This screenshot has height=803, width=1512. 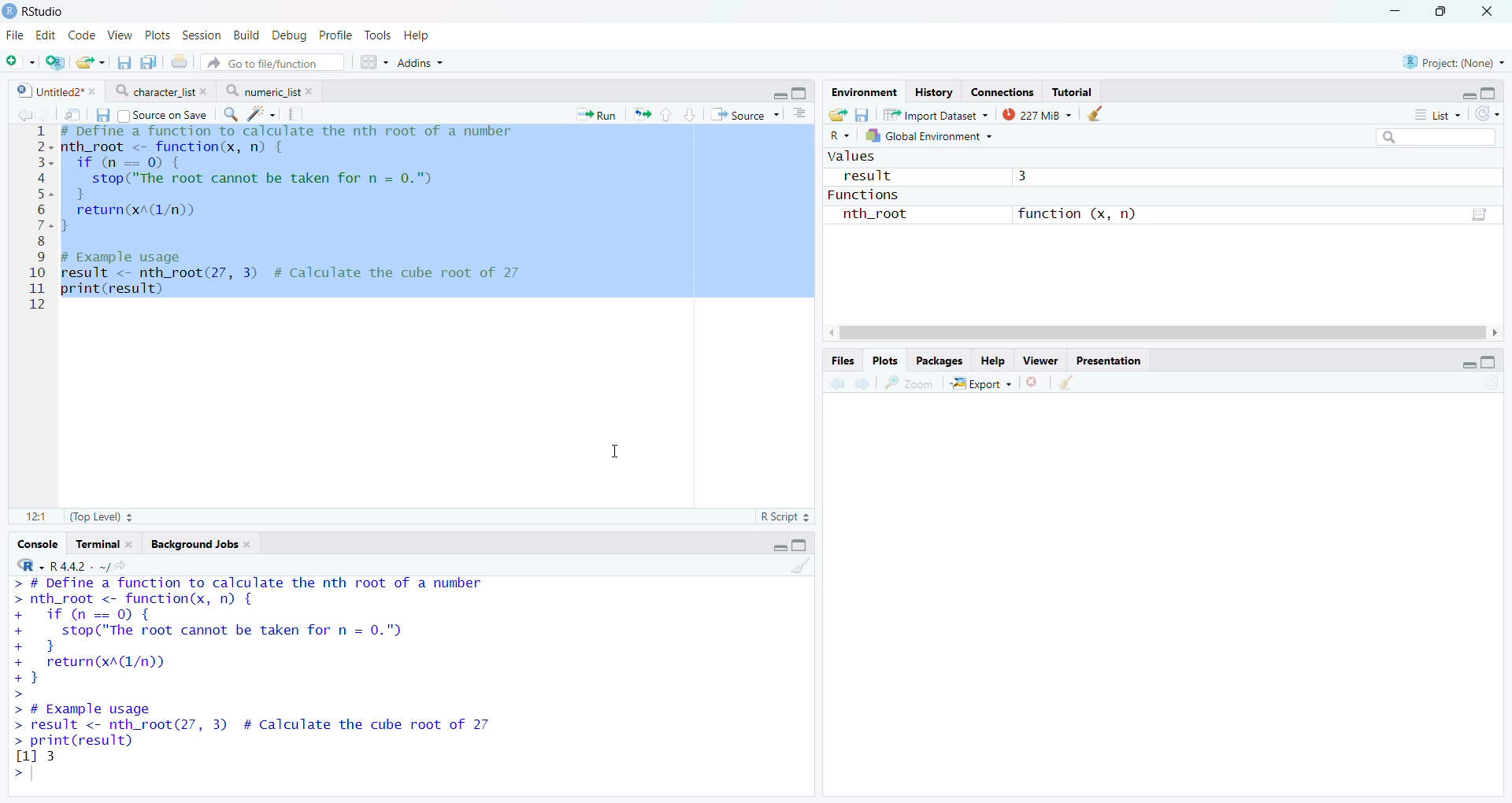 I want to click on Scroll Right, so click(x=1494, y=332).